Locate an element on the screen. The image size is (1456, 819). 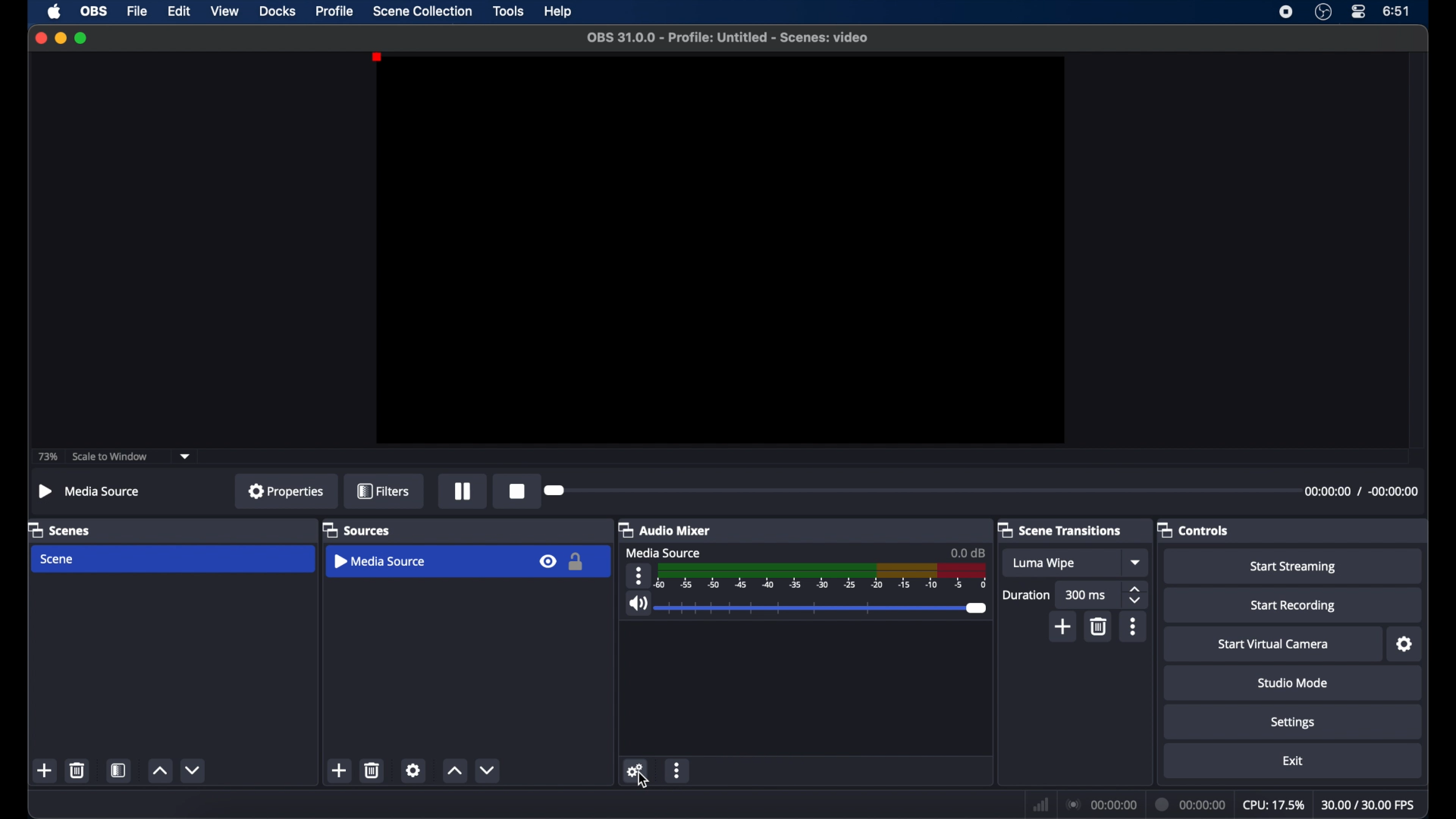
more options is located at coordinates (1134, 626).